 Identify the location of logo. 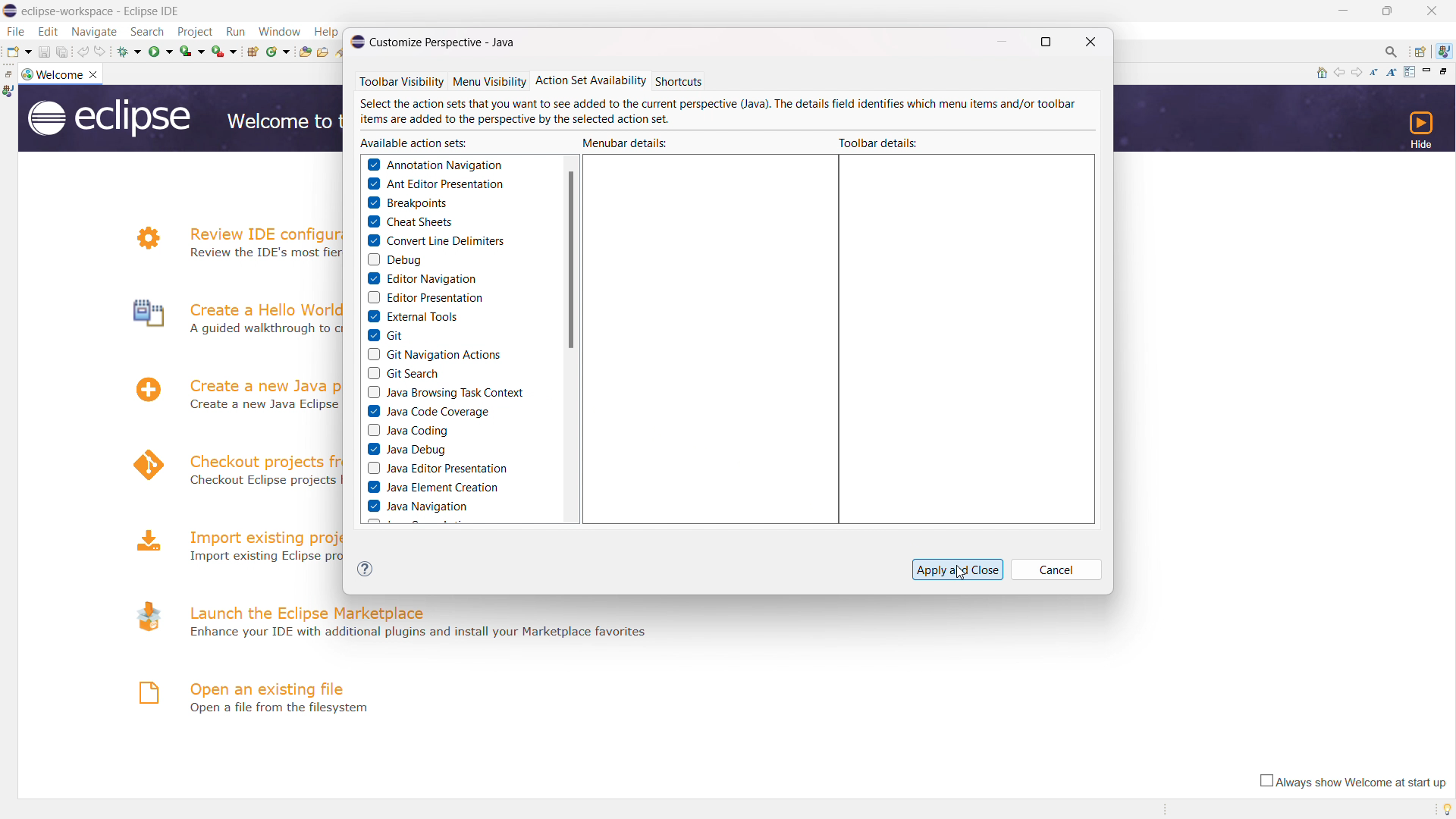
(26, 74).